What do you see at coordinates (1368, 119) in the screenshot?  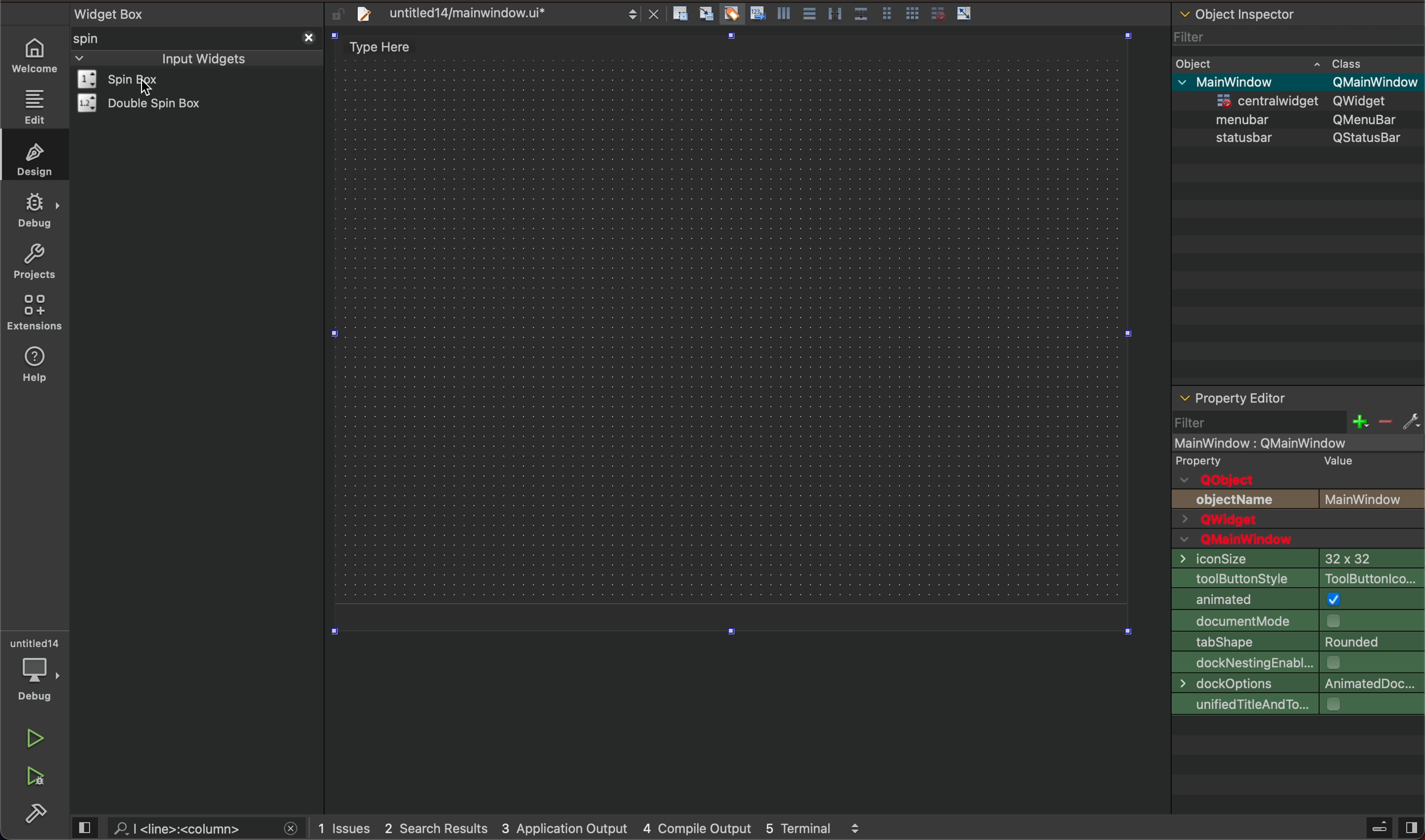 I see `` at bounding box center [1368, 119].